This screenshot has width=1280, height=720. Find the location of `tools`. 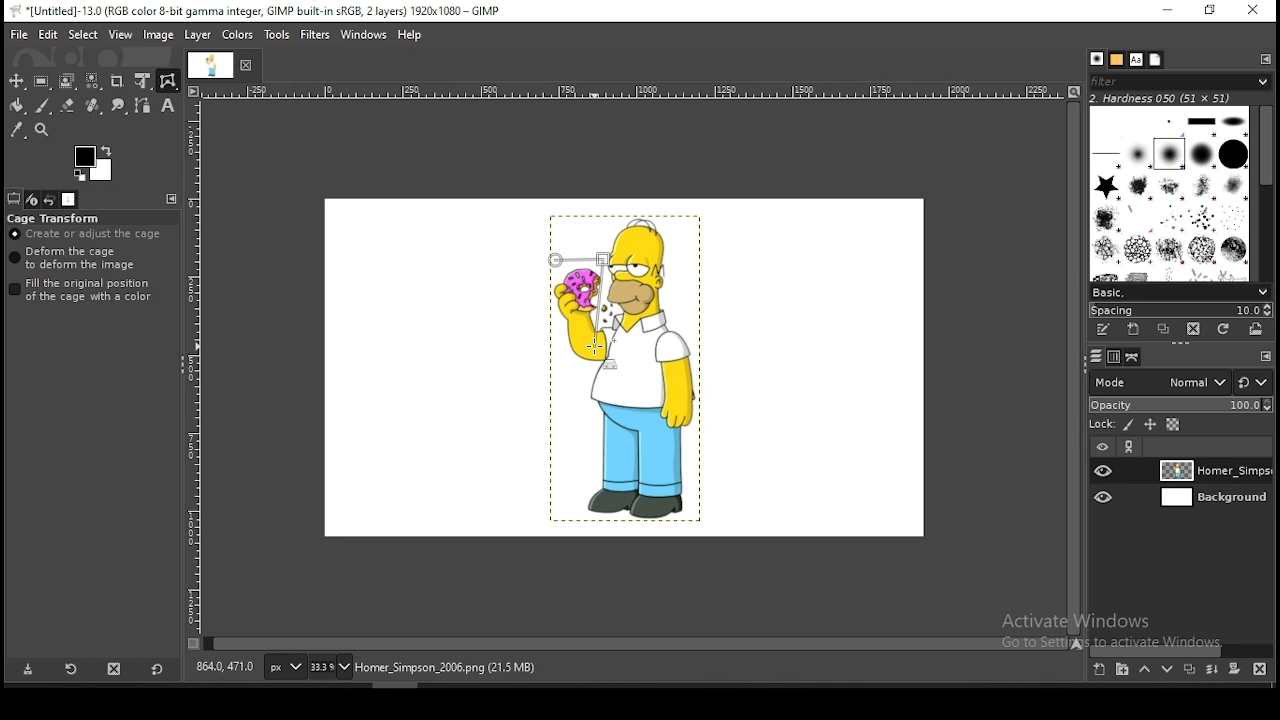

tools is located at coordinates (278, 35).